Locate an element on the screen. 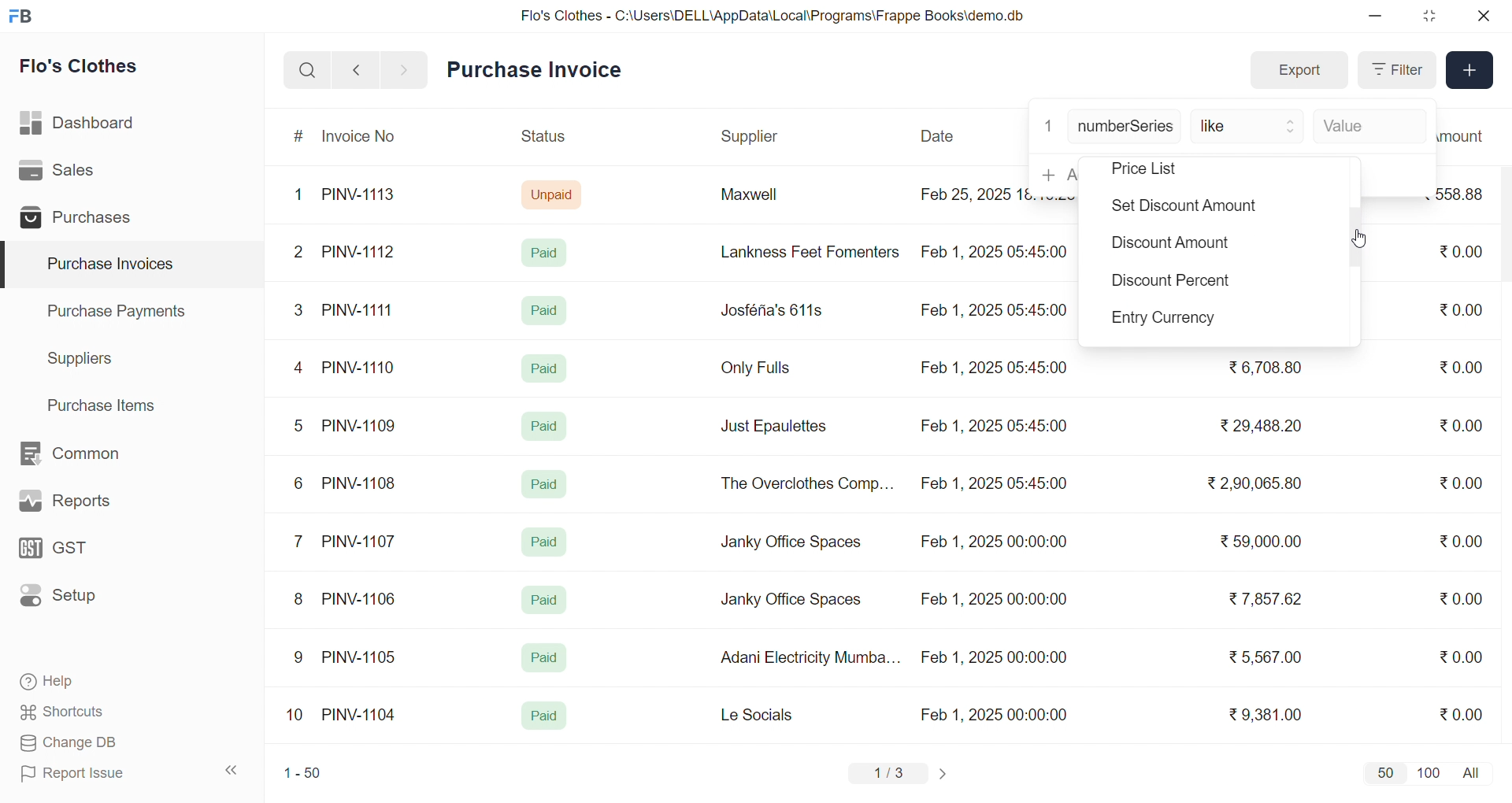  ₹0.00 is located at coordinates (1461, 367).